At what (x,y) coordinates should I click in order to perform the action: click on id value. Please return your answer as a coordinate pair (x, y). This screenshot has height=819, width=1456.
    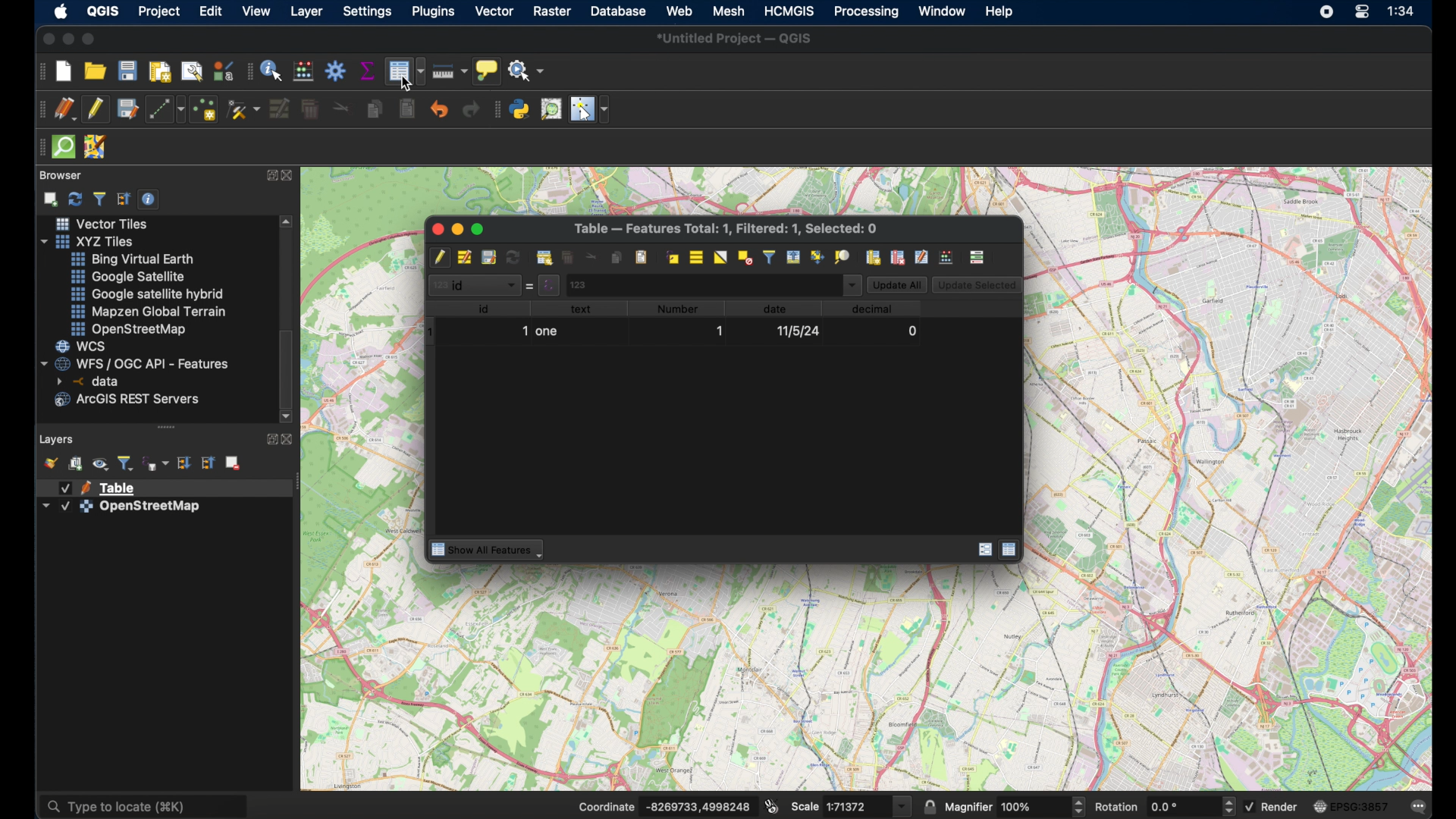
    Looking at the image, I should click on (551, 287).